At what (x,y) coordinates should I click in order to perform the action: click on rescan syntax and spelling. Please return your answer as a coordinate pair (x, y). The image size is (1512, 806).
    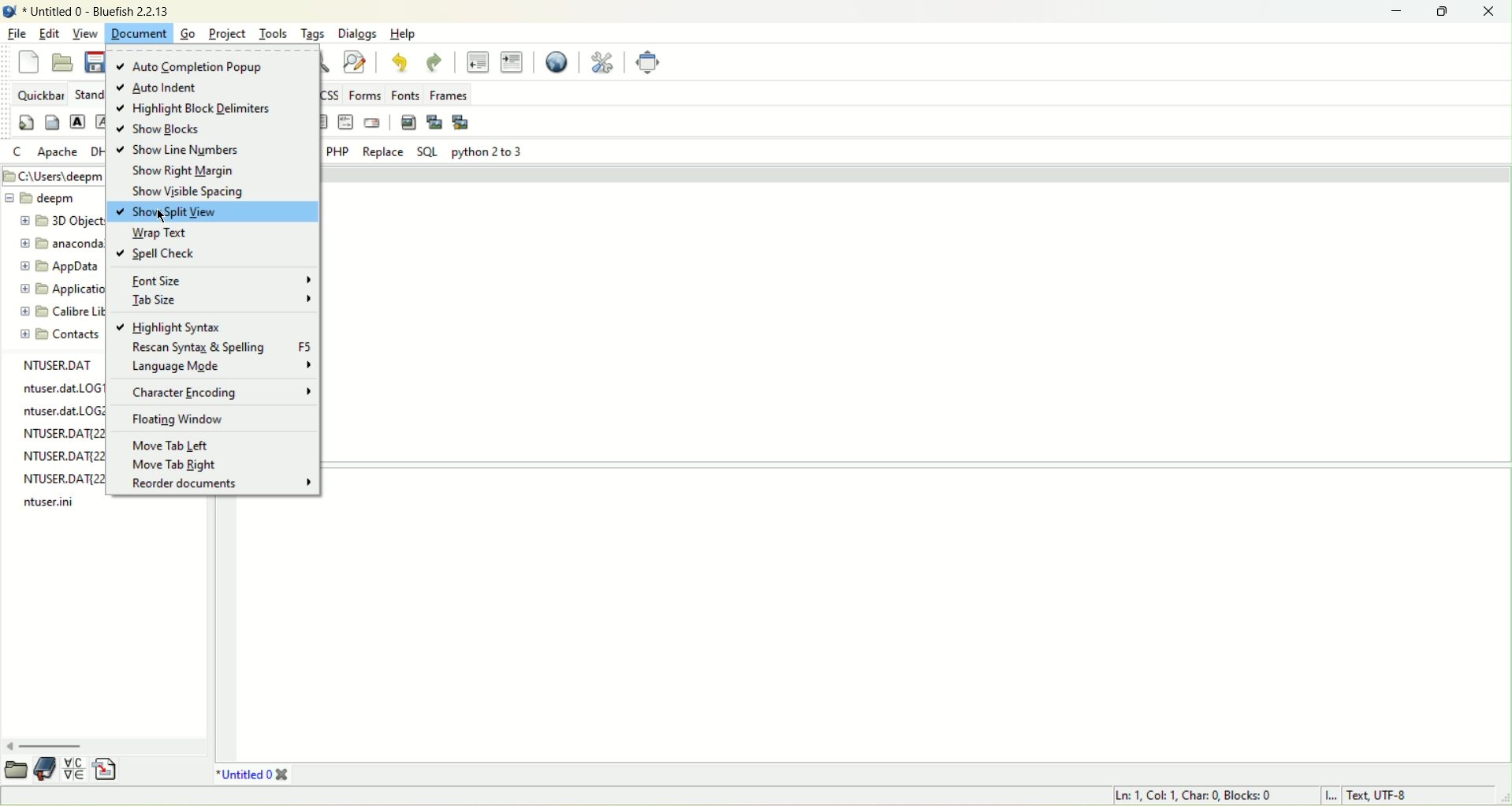
    Looking at the image, I should click on (214, 345).